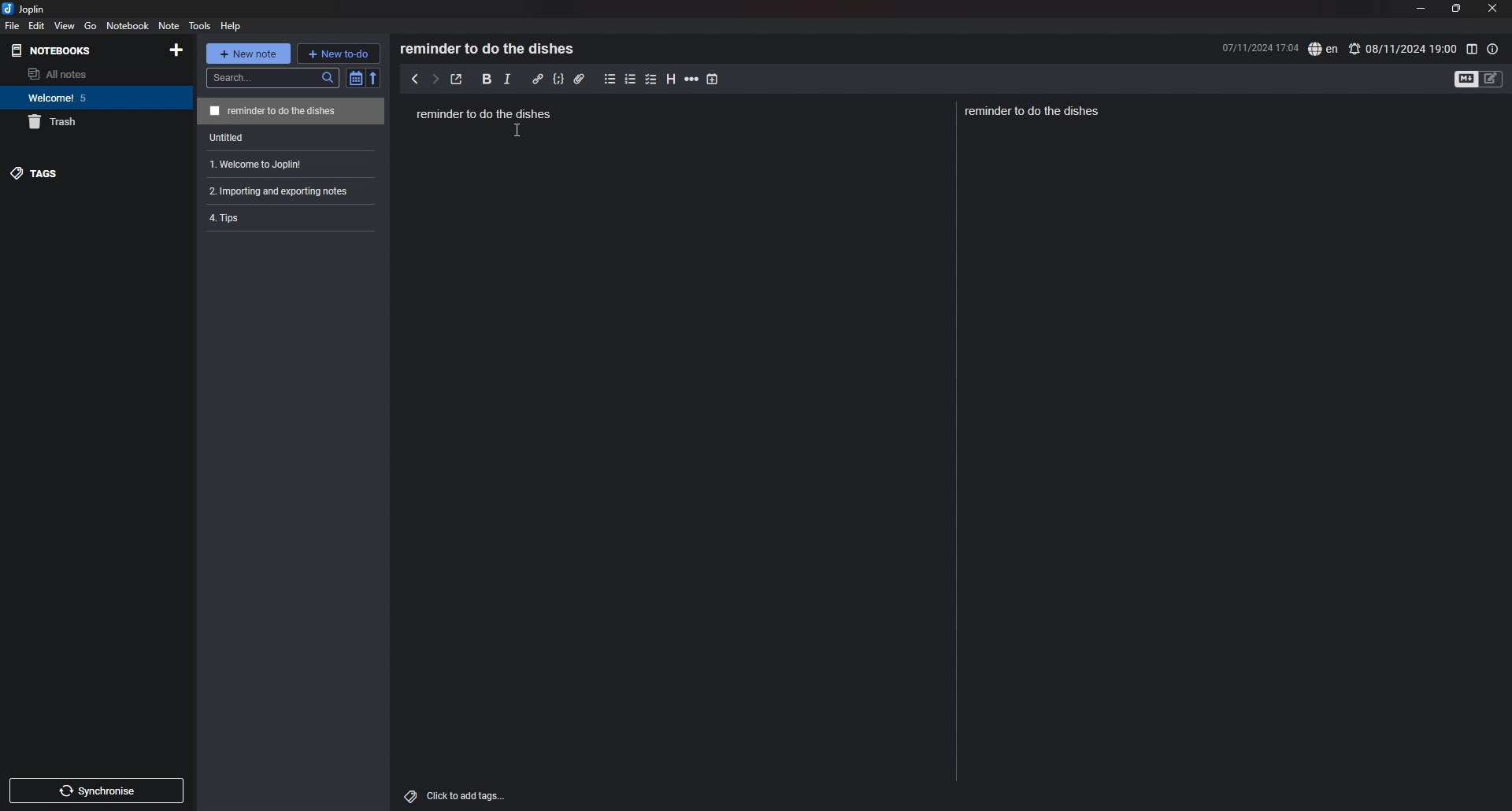  What do you see at coordinates (292, 164) in the screenshot?
I see `note` at bounding box center [292, 164].